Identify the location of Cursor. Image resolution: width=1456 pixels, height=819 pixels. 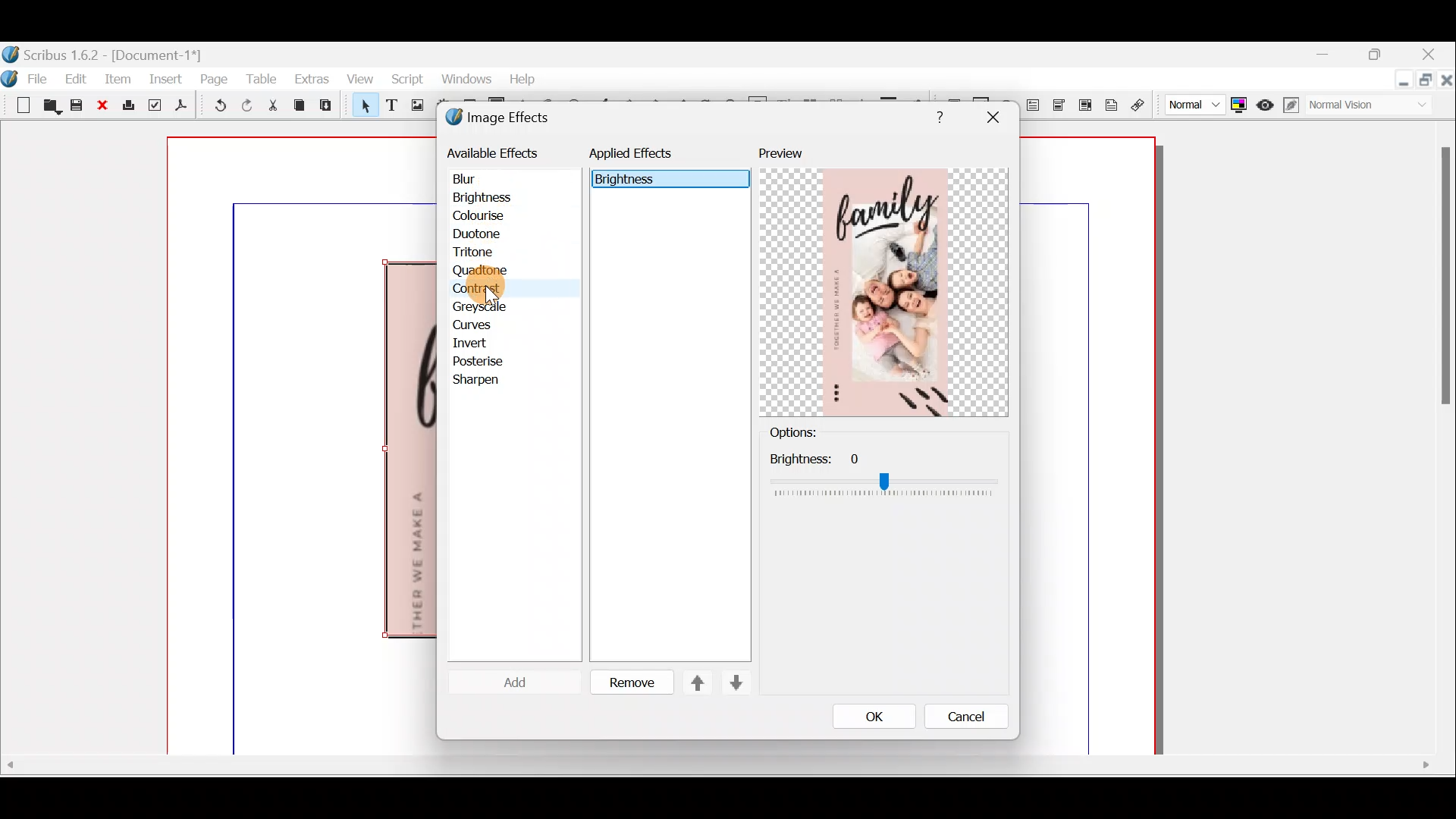
(511, 685).